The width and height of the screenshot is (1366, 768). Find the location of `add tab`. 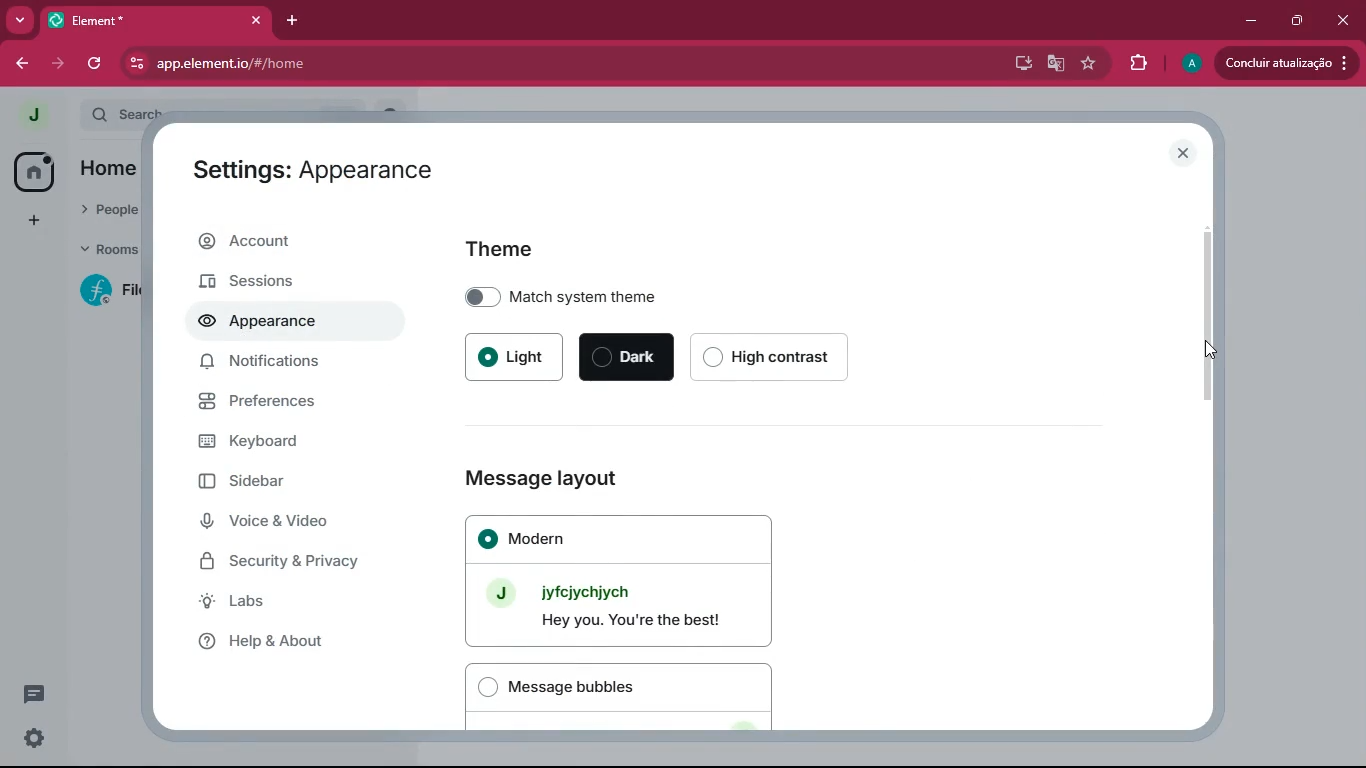

add tab is located at coordinates (294, 20).